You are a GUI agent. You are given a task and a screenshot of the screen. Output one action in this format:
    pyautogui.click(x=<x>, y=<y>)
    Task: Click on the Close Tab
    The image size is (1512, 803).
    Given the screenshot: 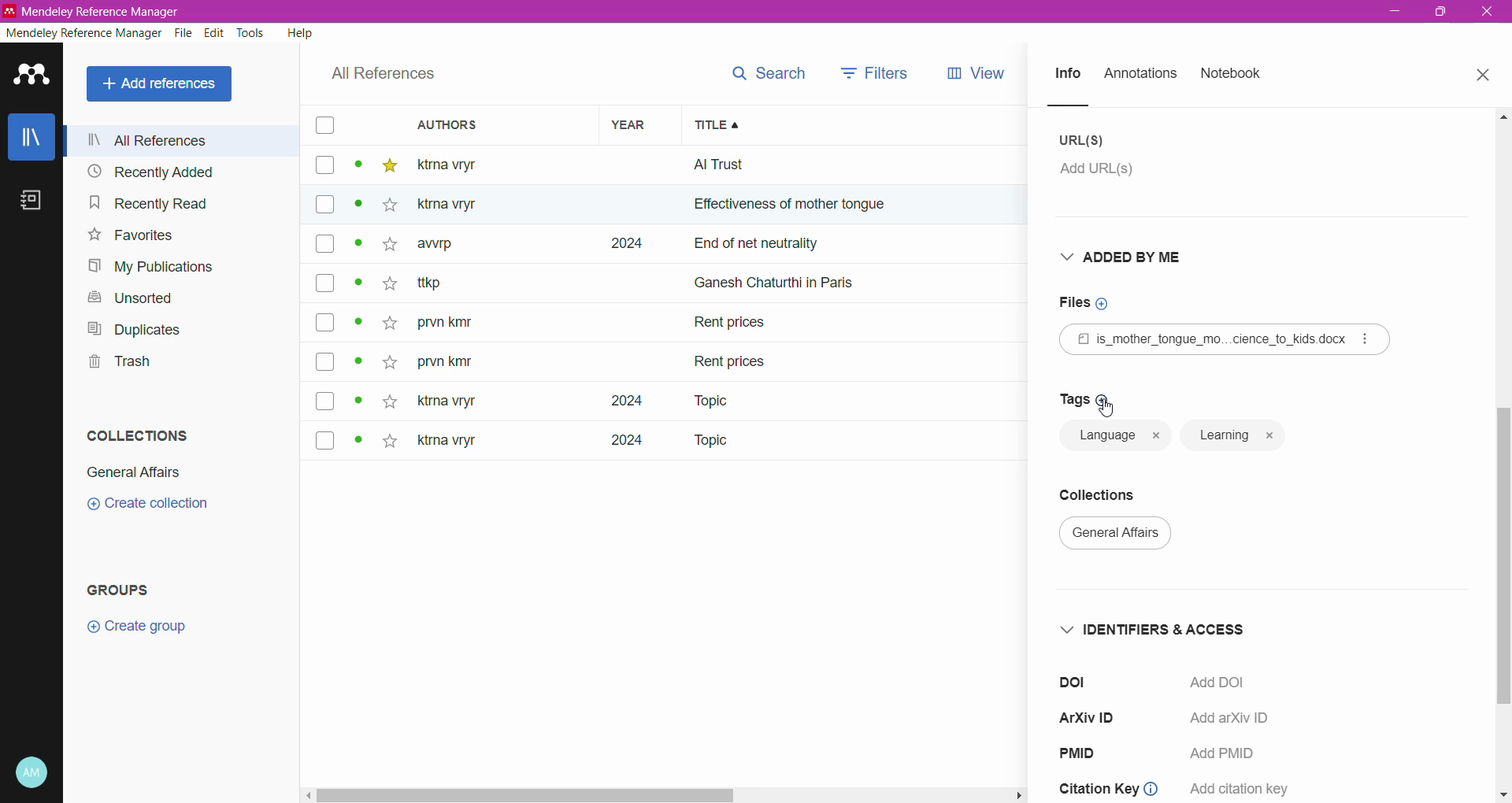 What is the action you would take?
    pyautogui.click(x=1485, y=76)
    